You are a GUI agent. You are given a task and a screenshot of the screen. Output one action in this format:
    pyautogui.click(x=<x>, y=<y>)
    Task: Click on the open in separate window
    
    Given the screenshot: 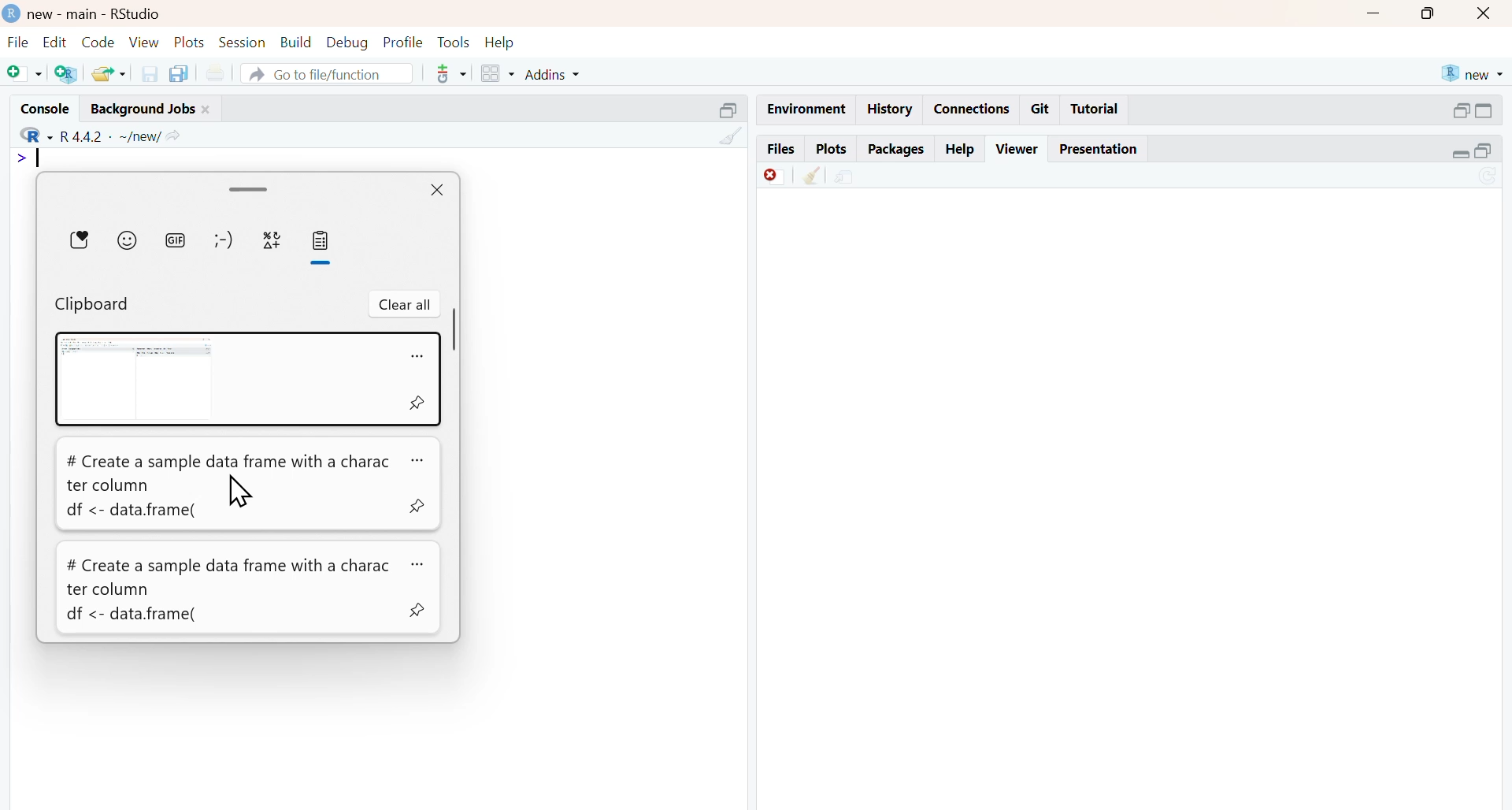 What is the action you would take?
    pyautogui.click(x=1483, y=151)
    